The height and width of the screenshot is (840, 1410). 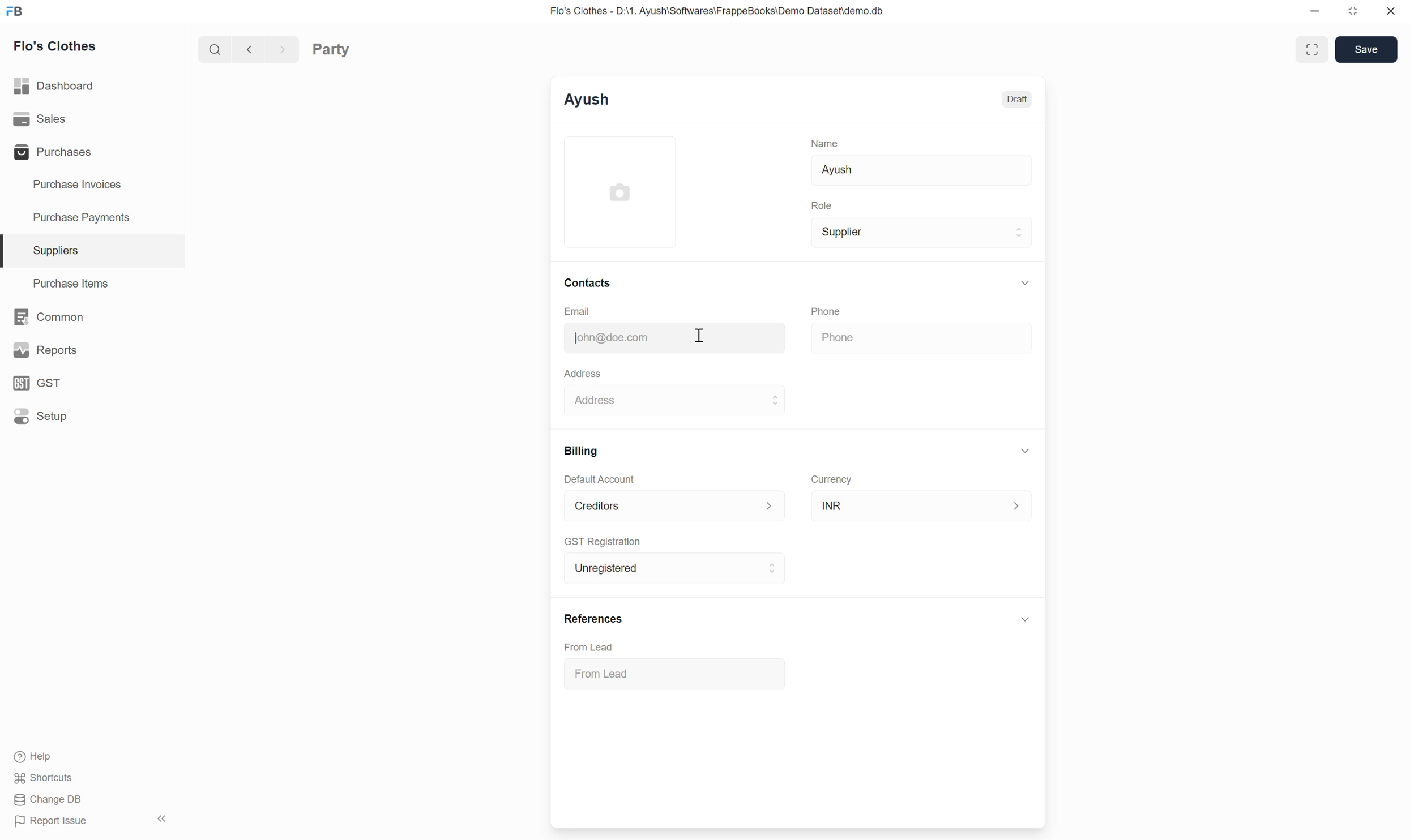 What do you see at coordinates (674, 400) in the screenshot?
I see `Address` at bounding box center [674, 400].